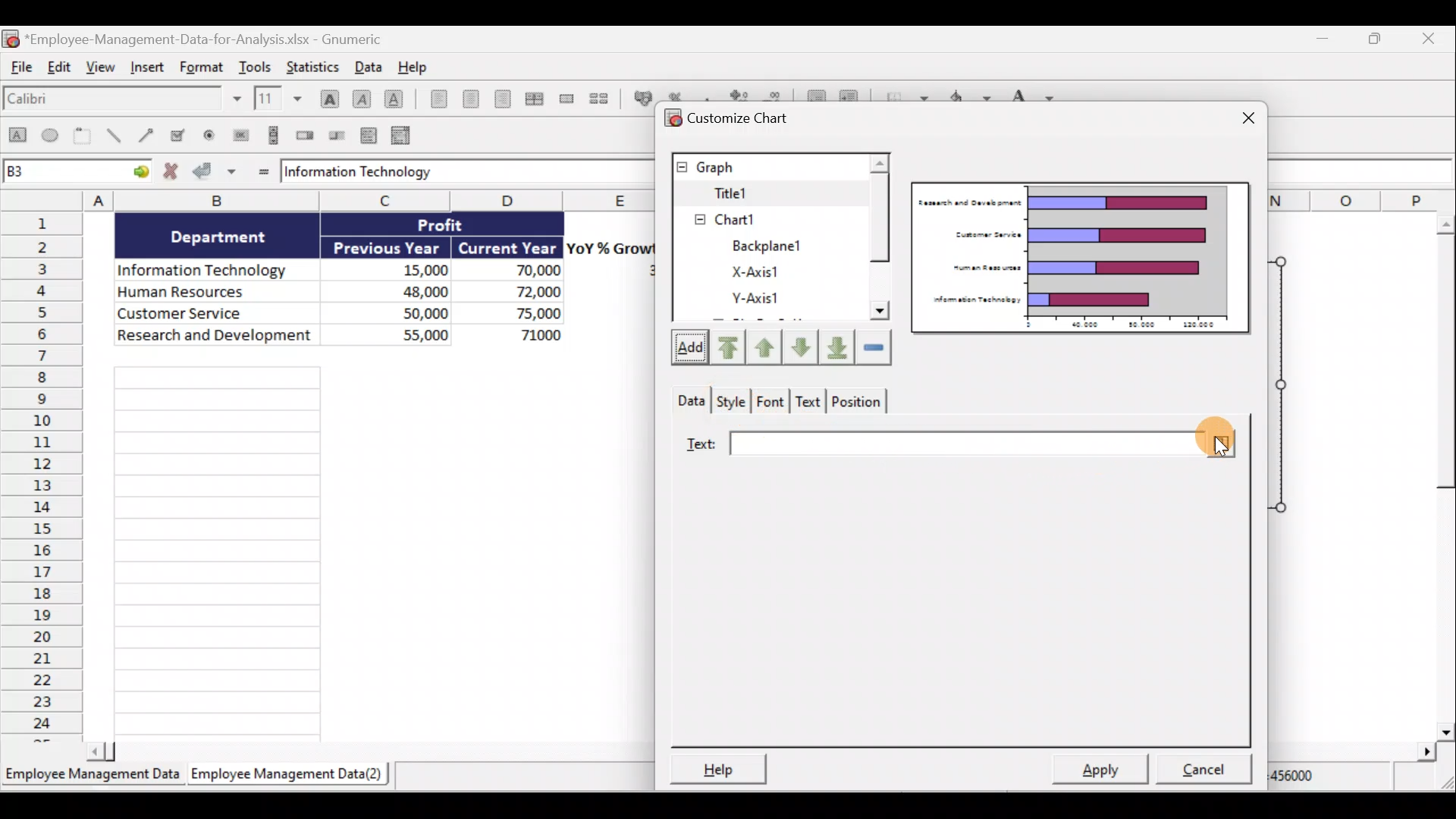 Image resolution: width=1456 pixels, height=819 pixels. What do you see at coordinates (403, 290) in the screenshot?
I see `48,000` at bounding box center [403, 290].